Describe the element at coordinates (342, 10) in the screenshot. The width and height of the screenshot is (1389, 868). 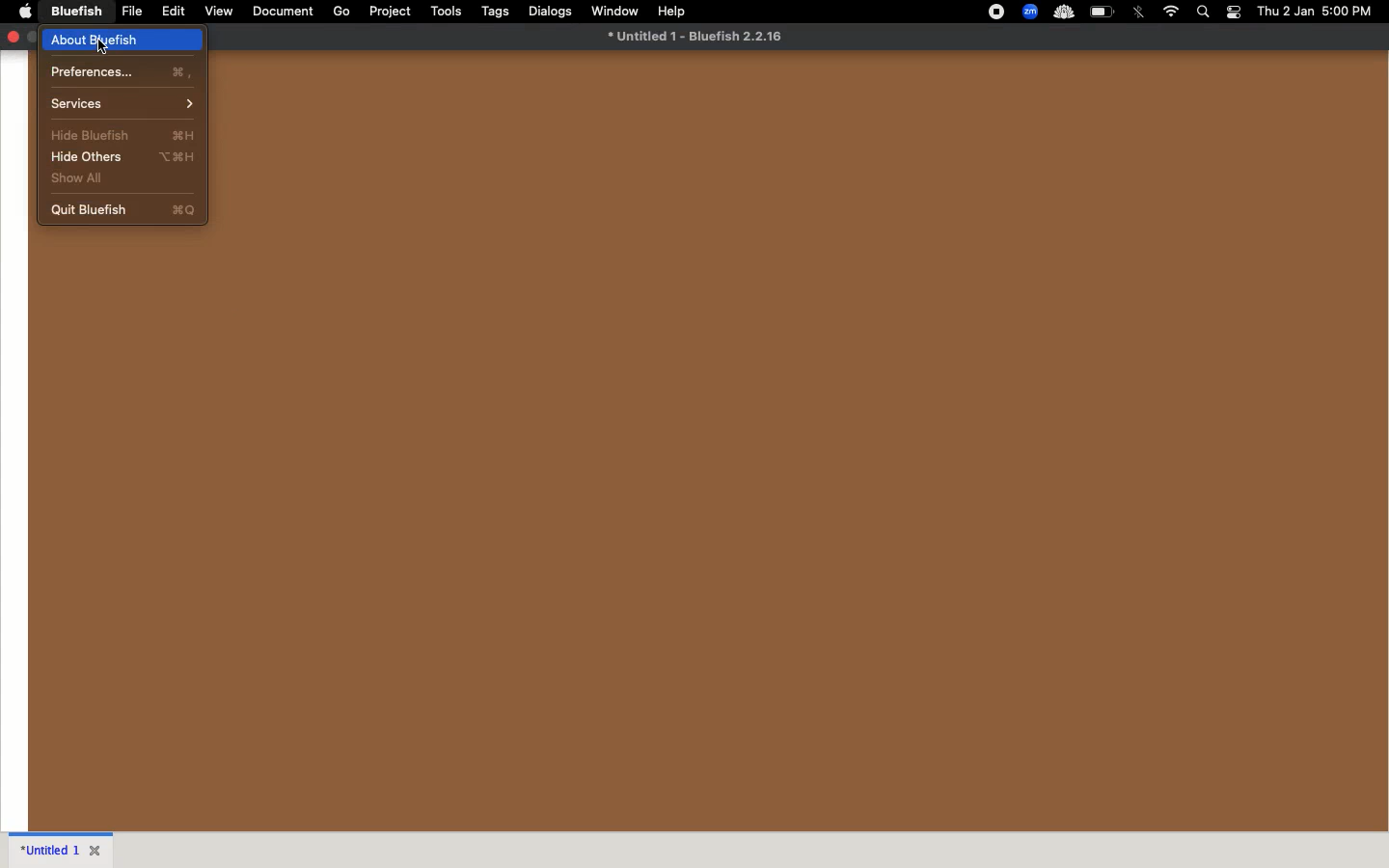
I see `go` at that location.